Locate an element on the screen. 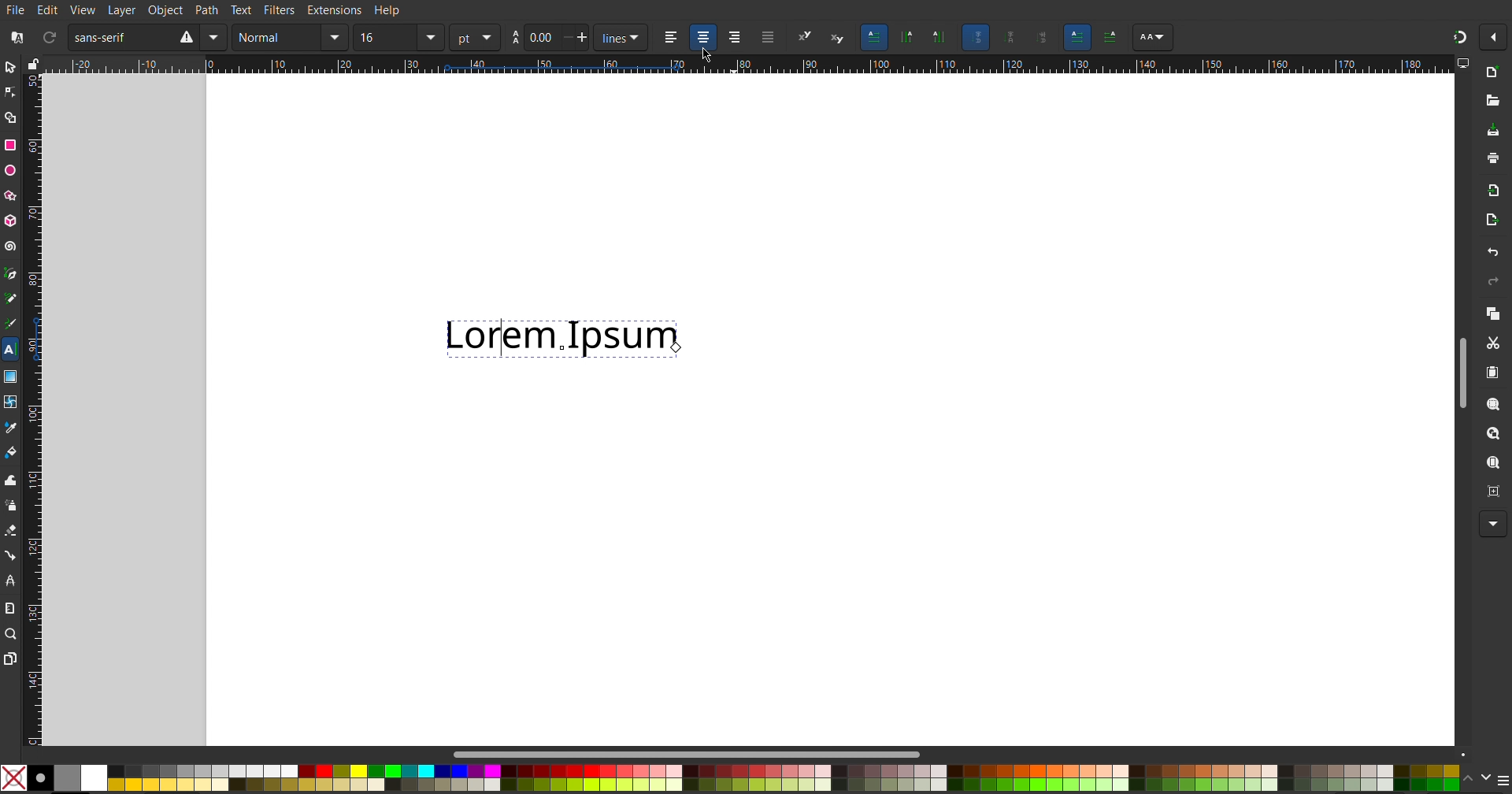 This screenshot has width=1512, height=794. Undo is located at coordinates (1495, 251).